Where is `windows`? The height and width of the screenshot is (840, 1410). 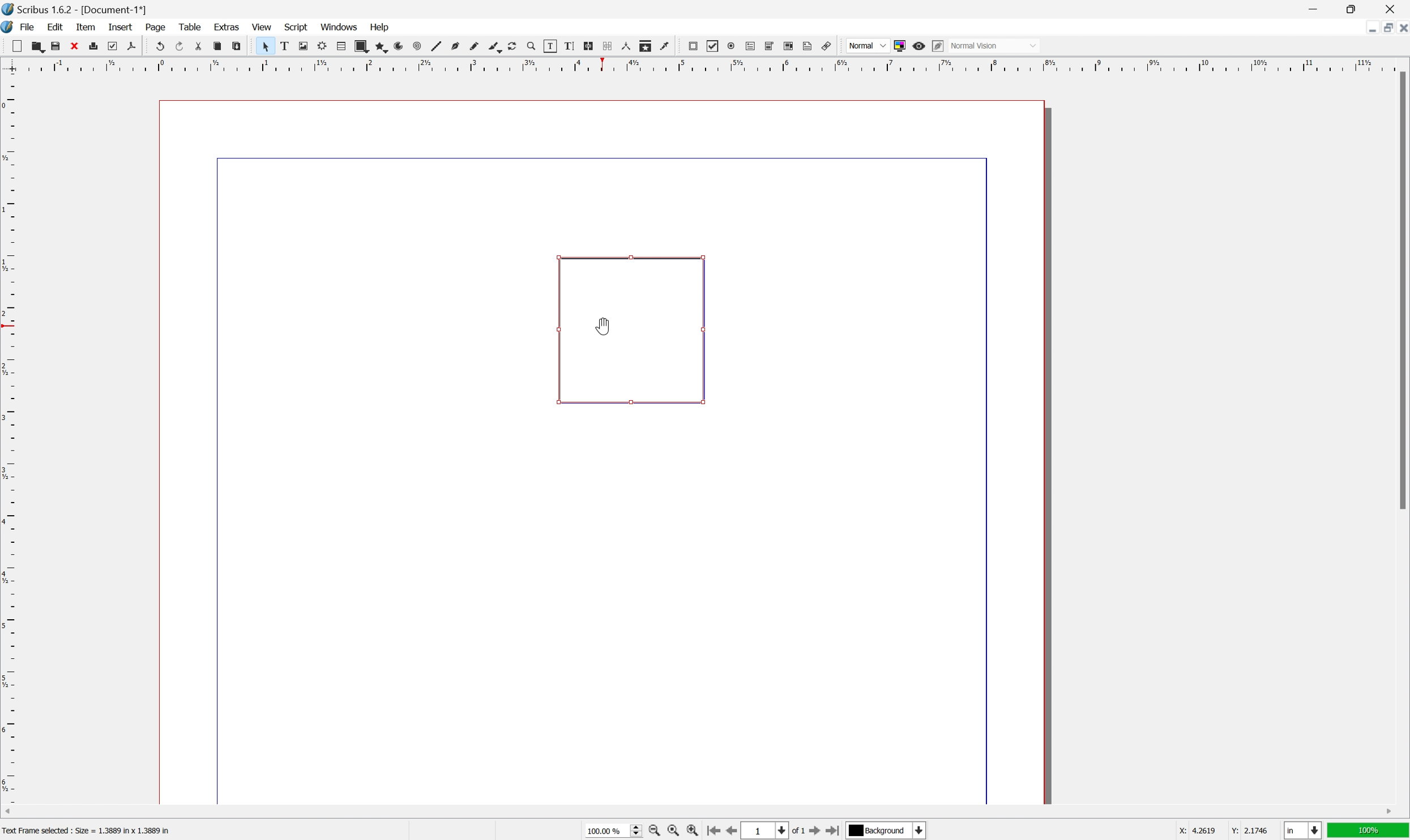 windows is located at coordinates (339, 26).